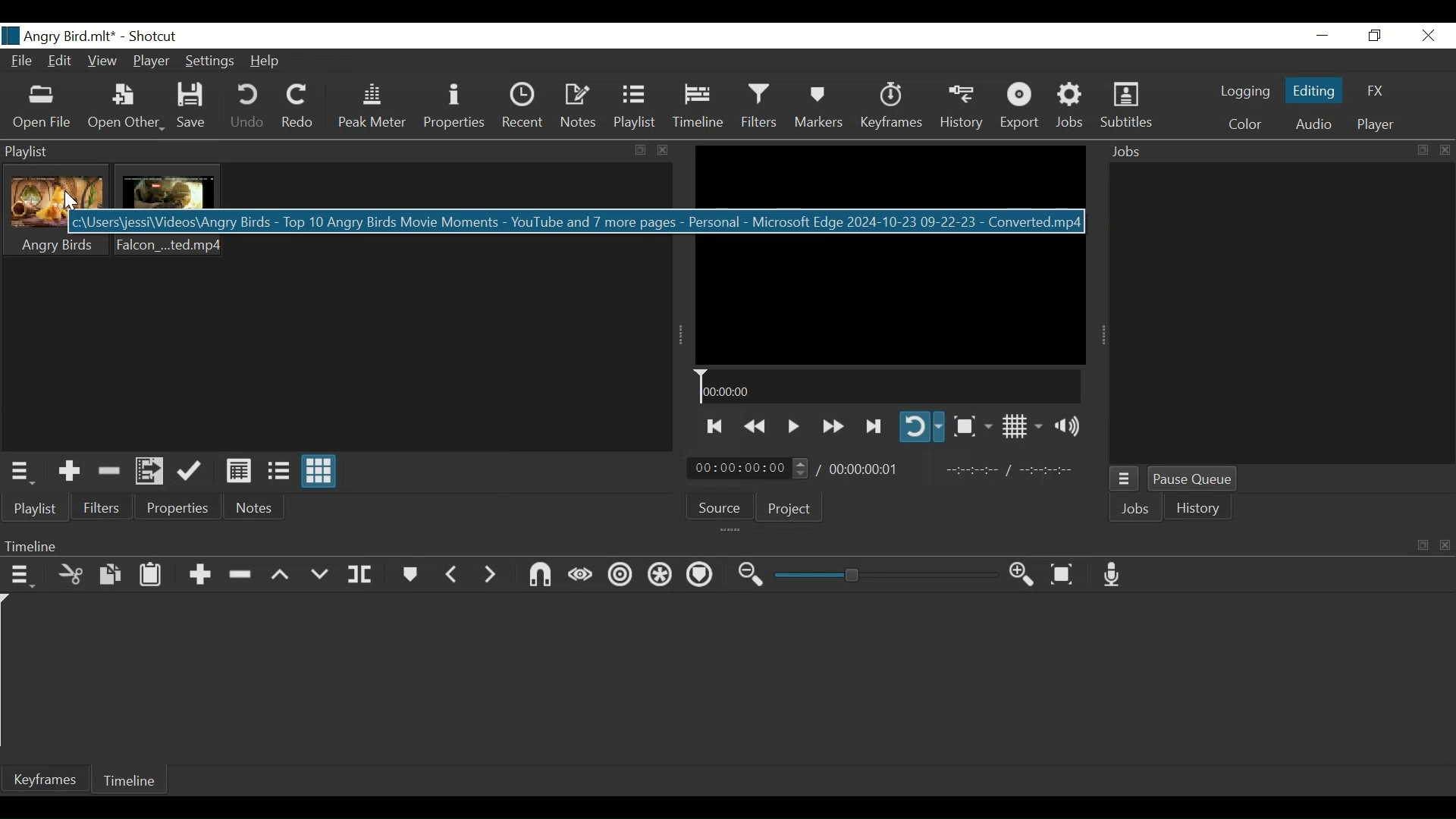  I want to click on Open File, so click(45, 106).